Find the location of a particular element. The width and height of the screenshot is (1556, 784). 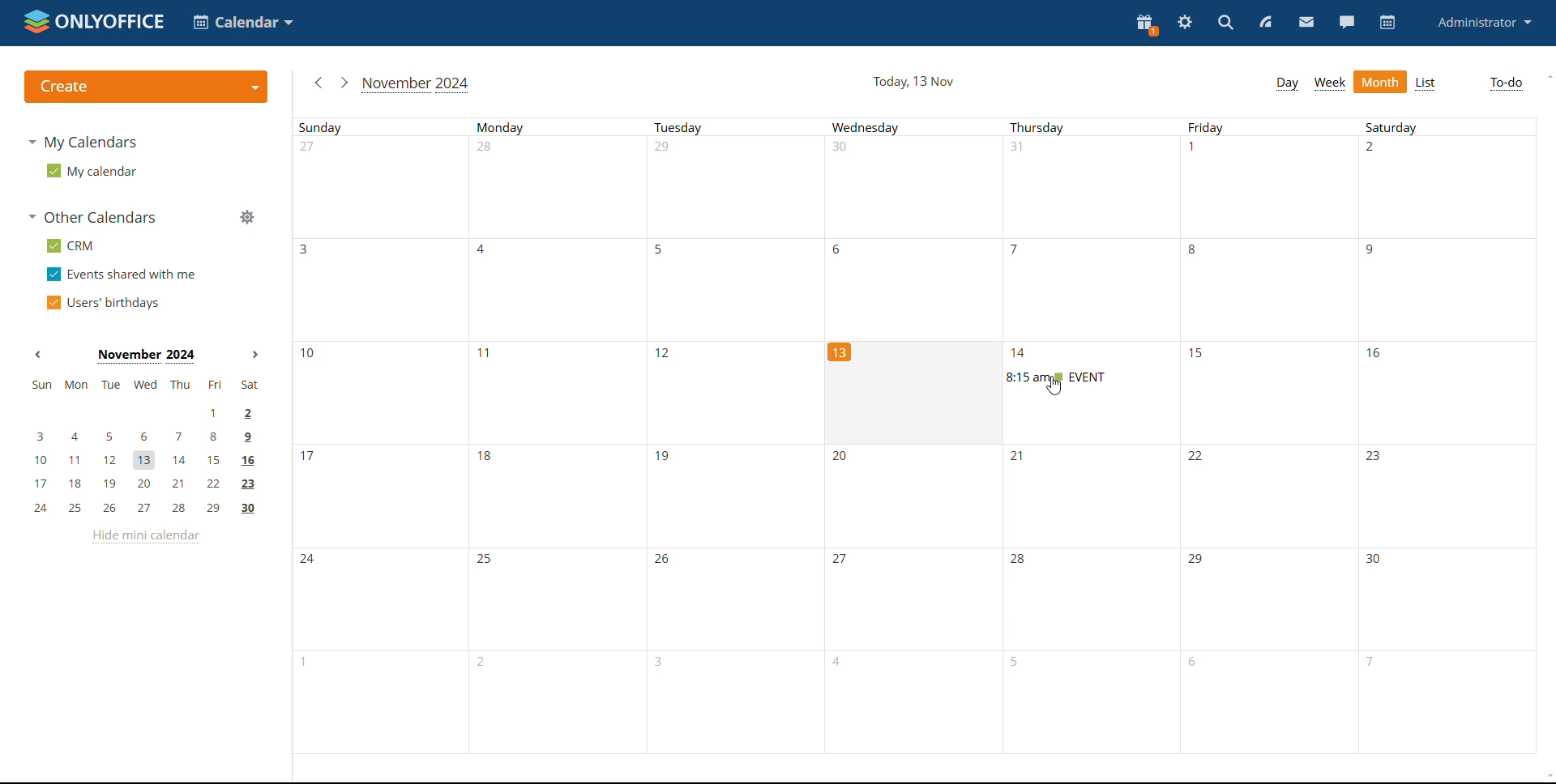

create is located at coordinates (149, 88).